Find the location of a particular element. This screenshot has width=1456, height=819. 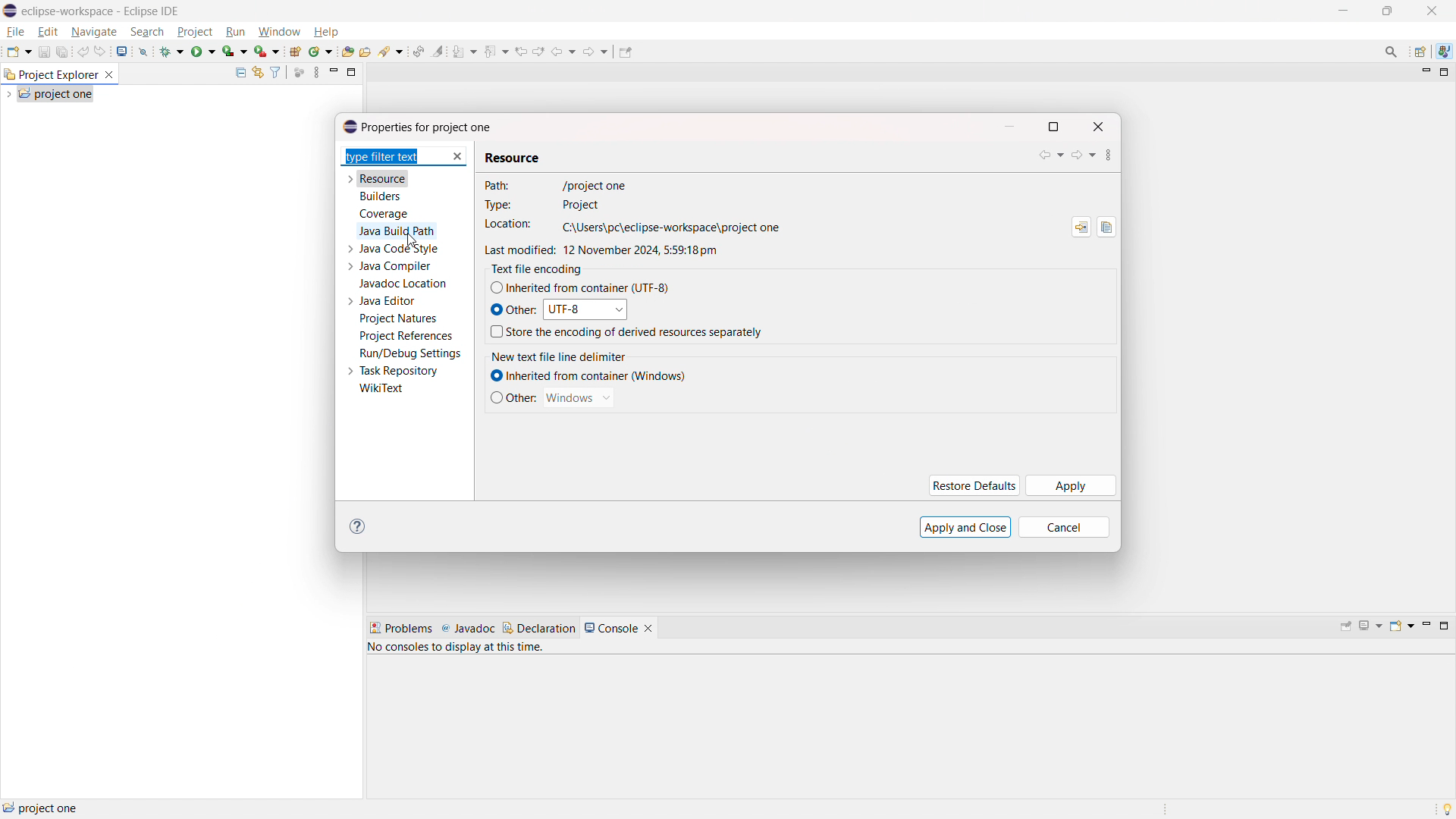

properties for project one is located at coordinates (418, 127).